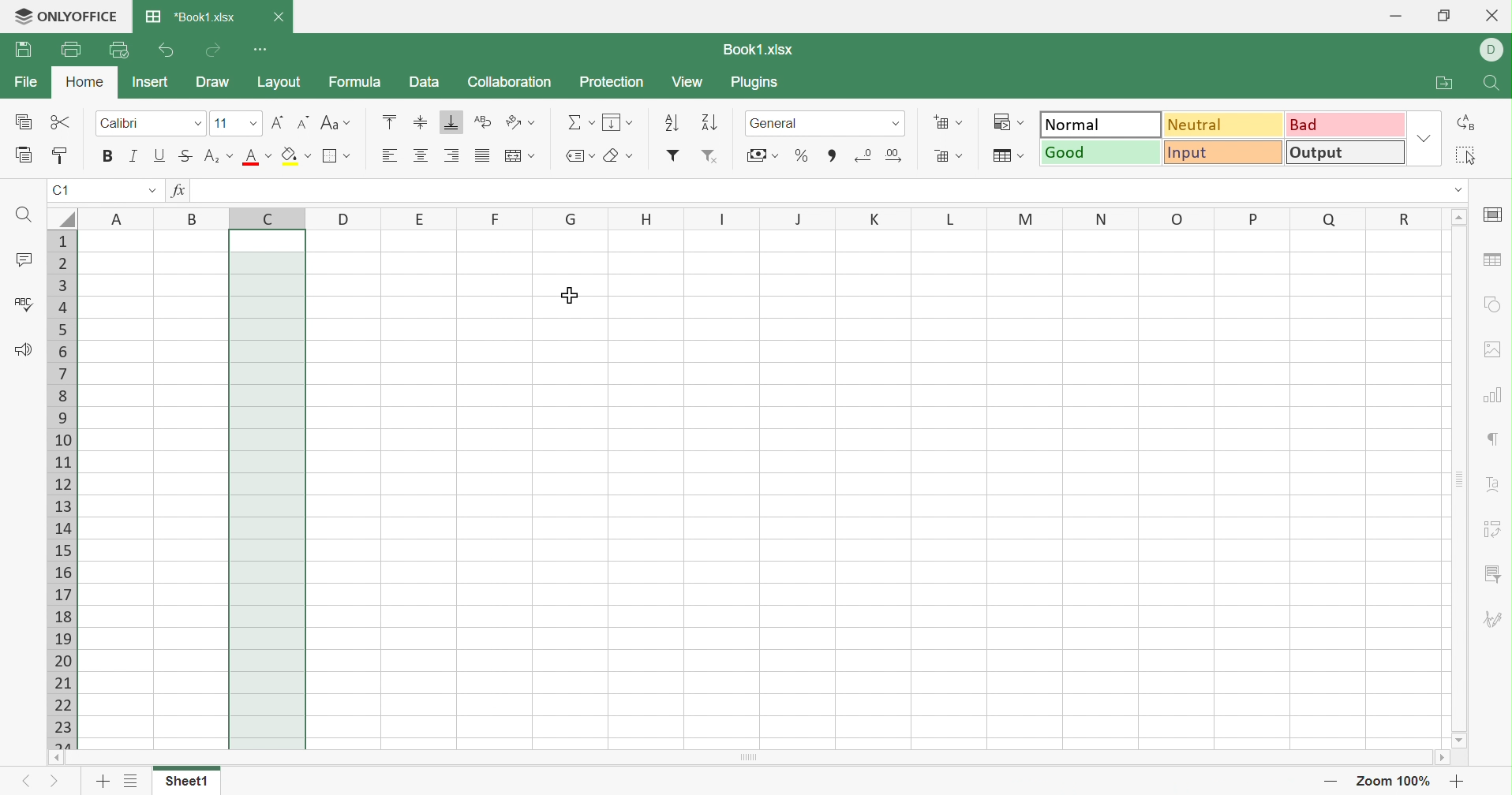 The image size is (1512, 795). I want to click on Image settings, so click(1495, 351).